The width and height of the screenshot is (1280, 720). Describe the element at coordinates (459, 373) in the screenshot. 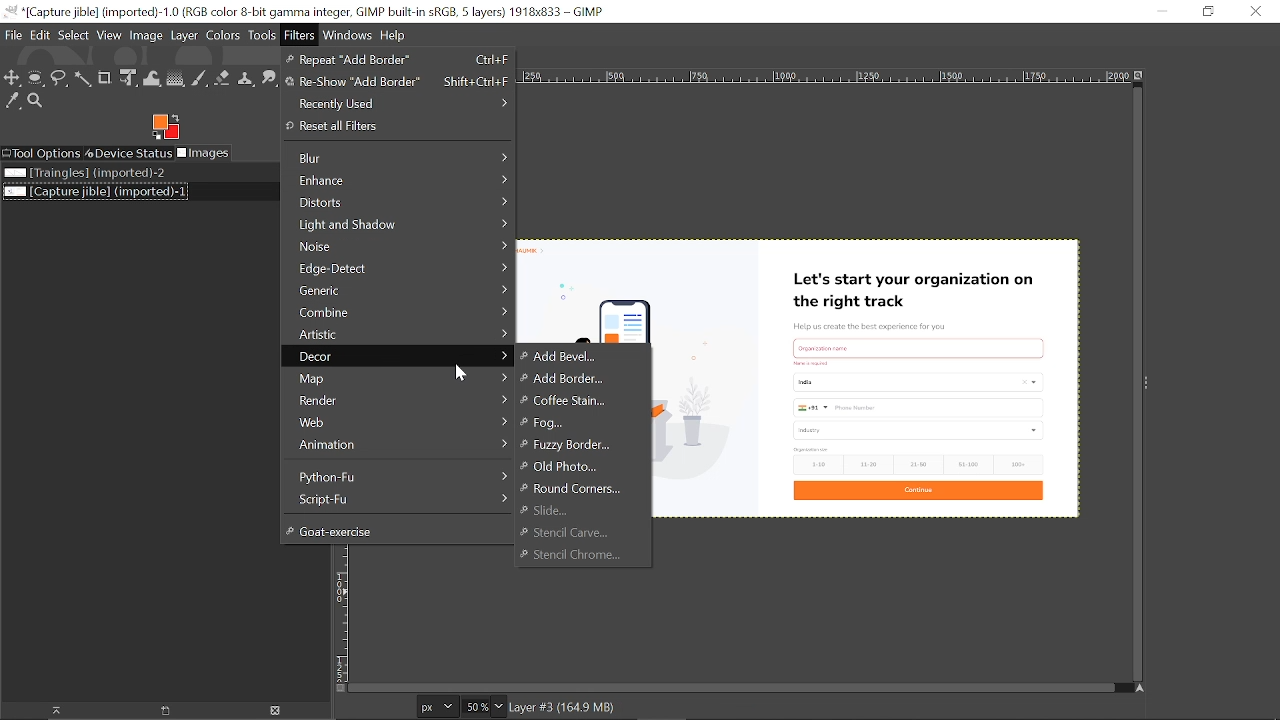

I see `cursor` at that location.